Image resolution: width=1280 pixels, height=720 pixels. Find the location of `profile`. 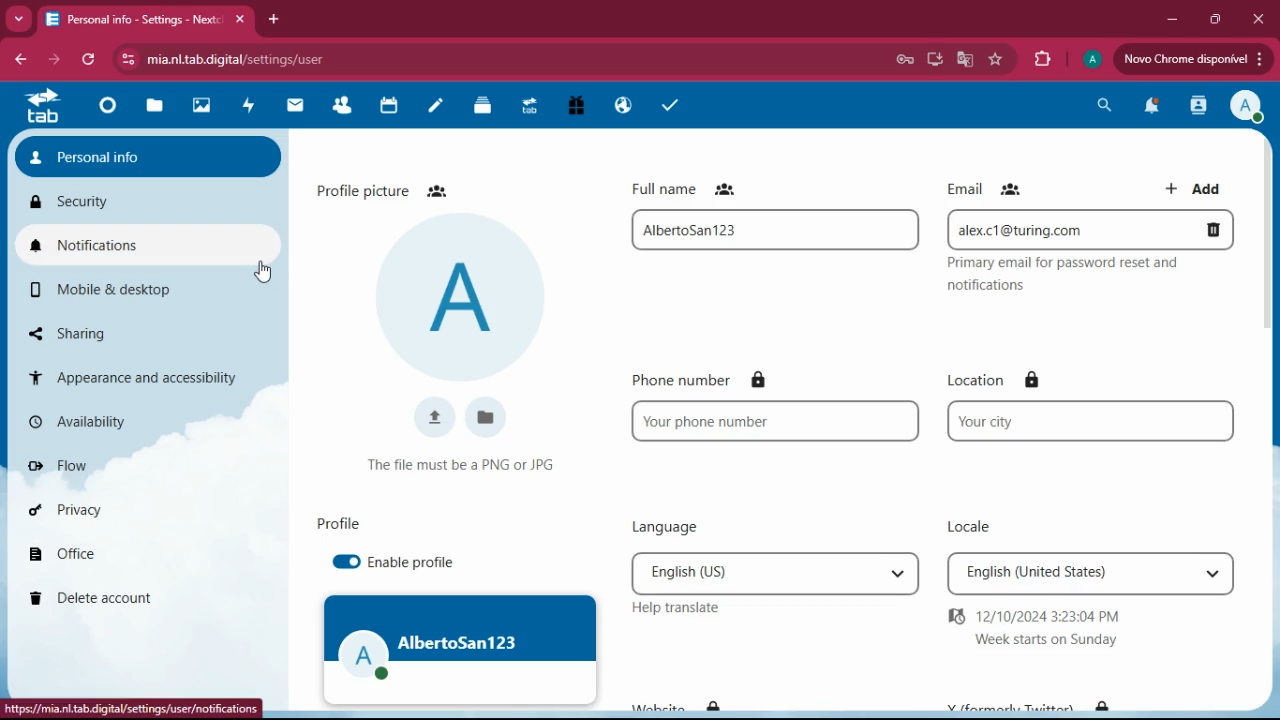

profile is located at coordinates (462, 649).